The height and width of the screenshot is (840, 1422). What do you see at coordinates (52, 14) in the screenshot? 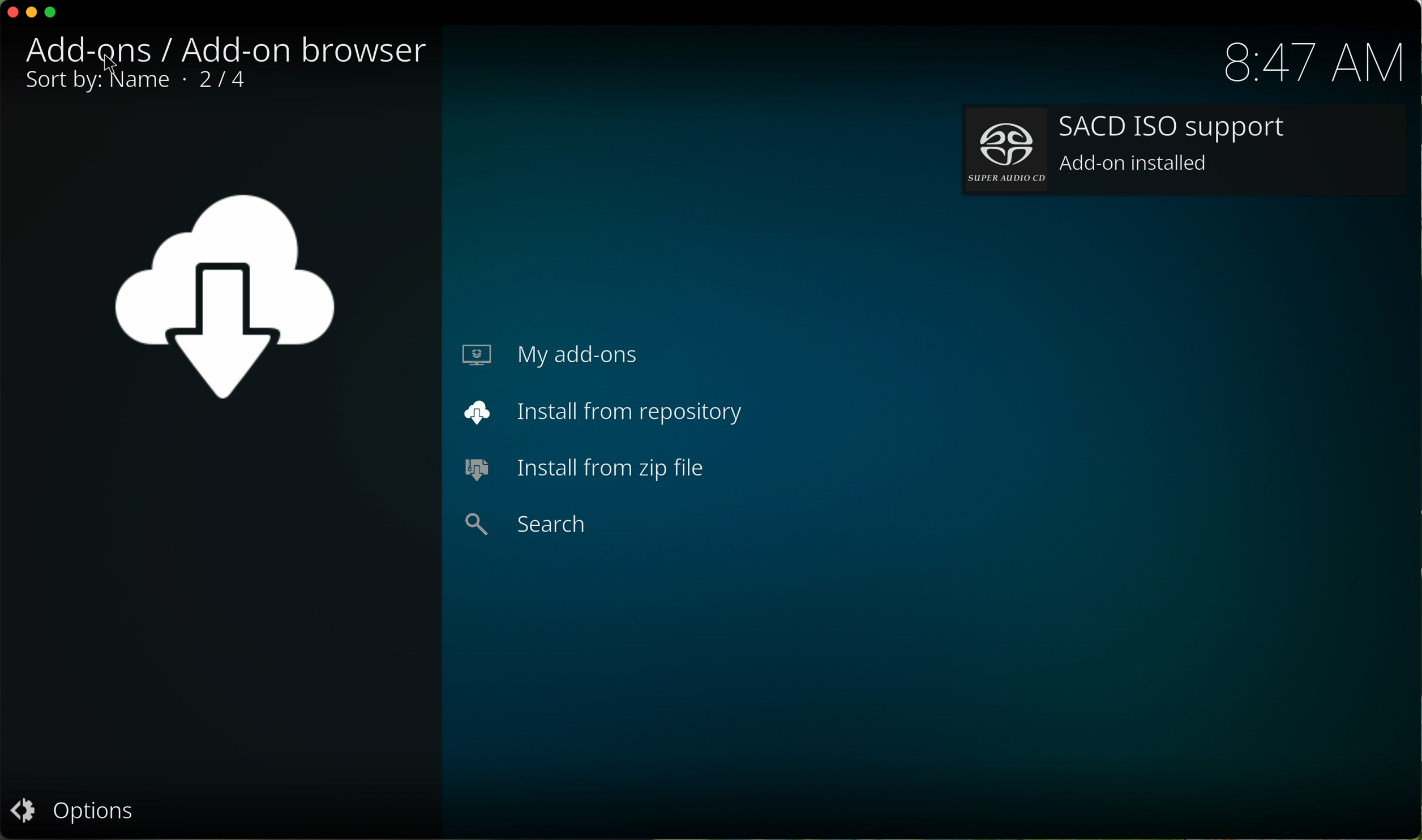
I see `maximize program` at bounding box center [52, 14].